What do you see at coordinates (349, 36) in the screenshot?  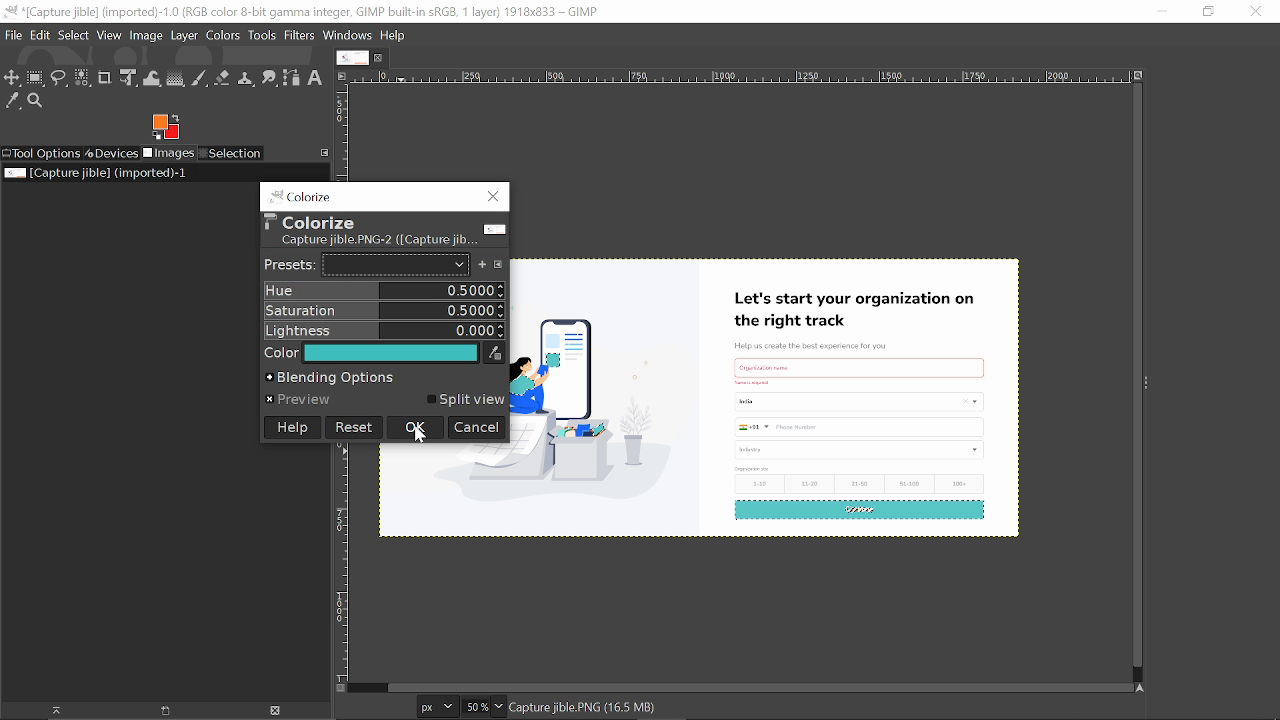 I see `Windows` at bounding box center [349, 36].